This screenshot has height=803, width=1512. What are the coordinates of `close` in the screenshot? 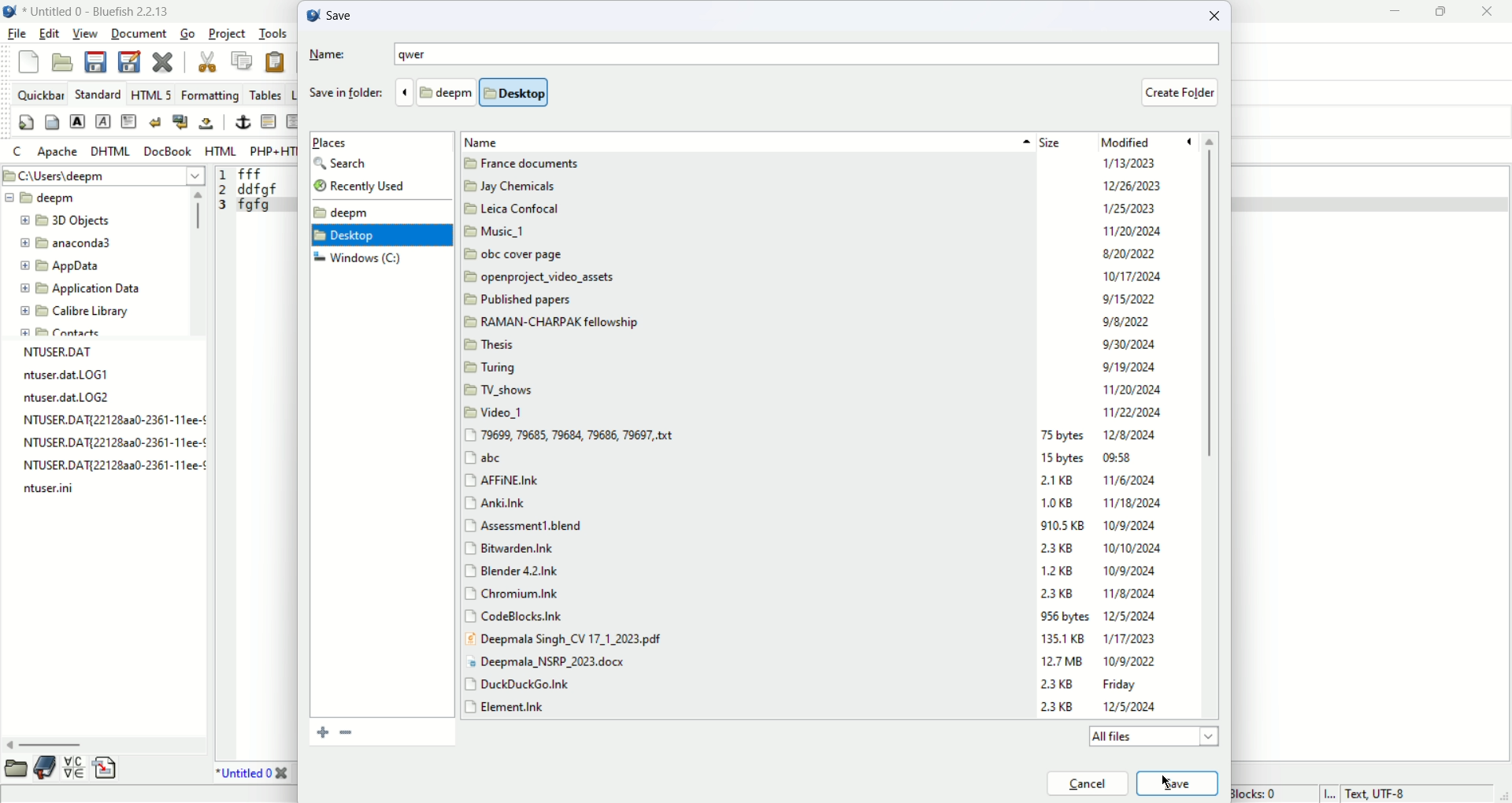 It's located at (1489, 13).